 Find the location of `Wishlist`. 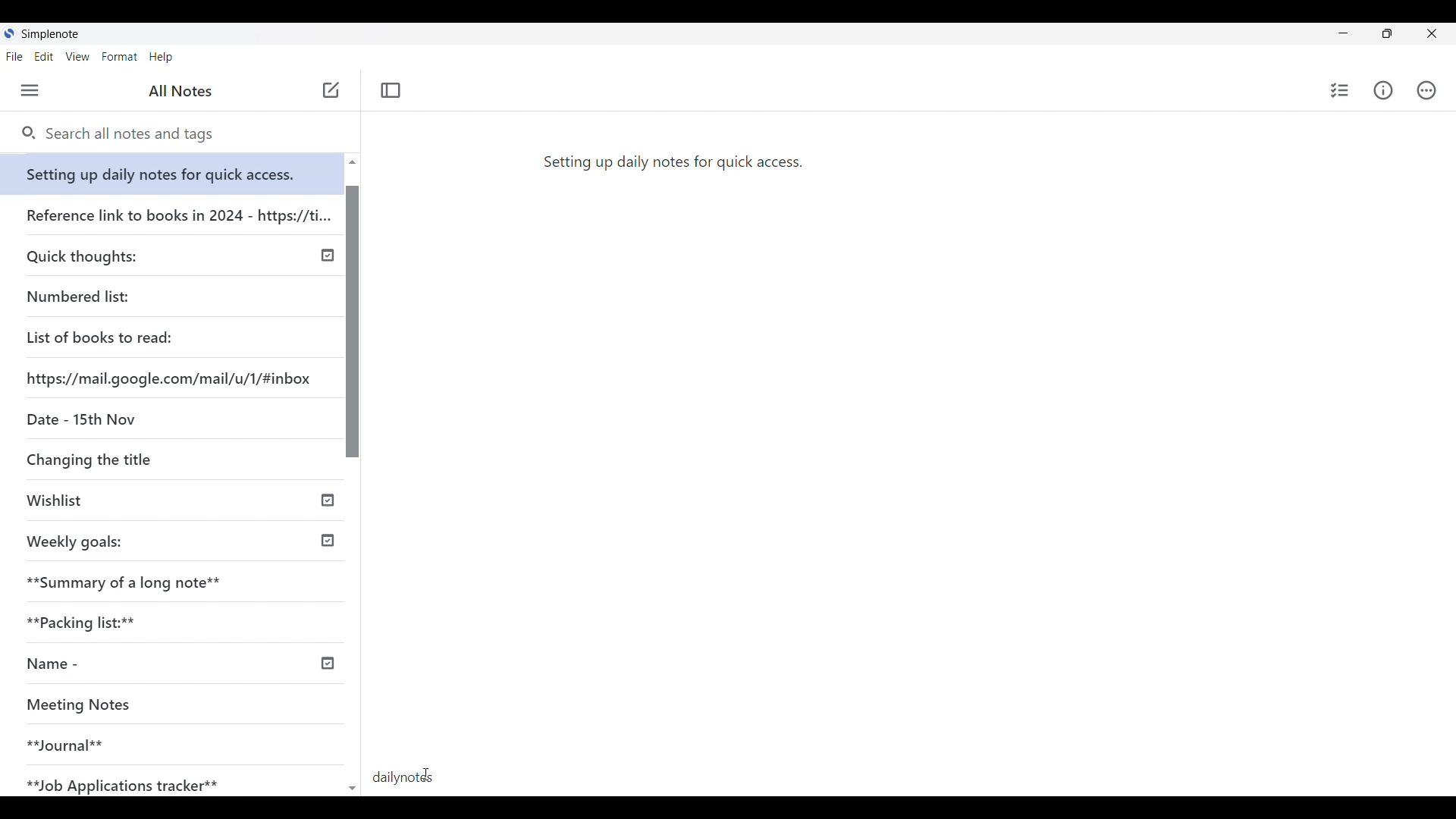

Wishlist is located at coordinates (127, 502).